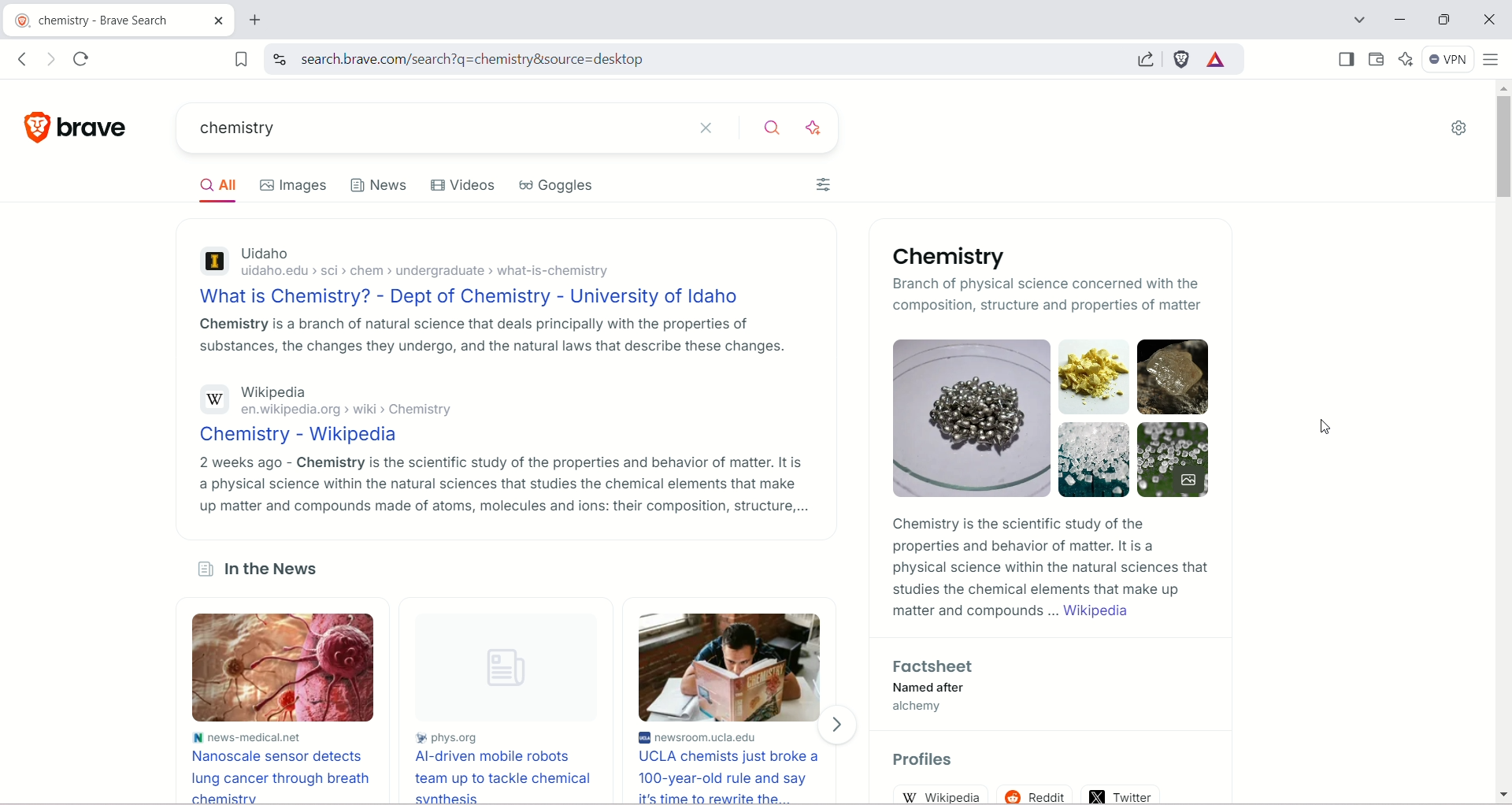  I want to click on Brave logo, so click(35, 127).